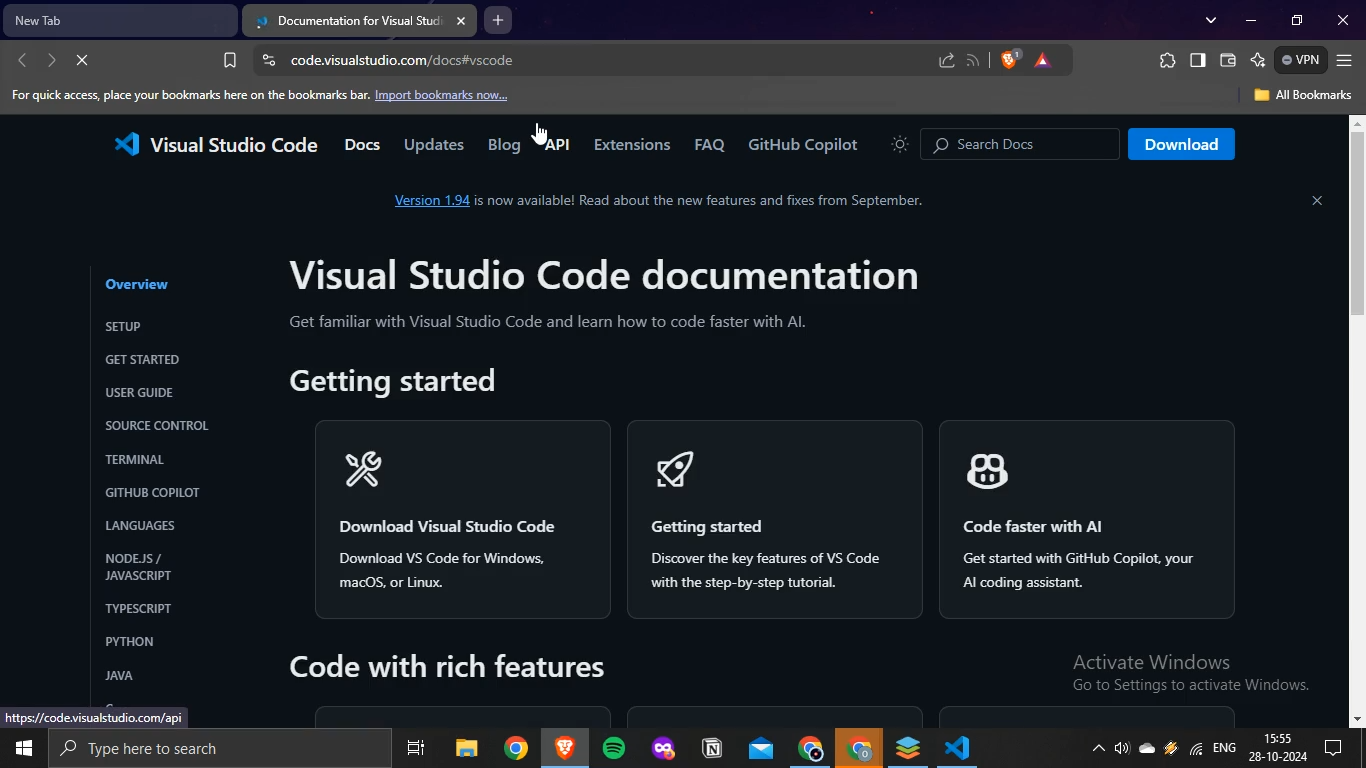 Image resolution: width=1366 pixels, height=768 pixels. What do you see at coordinates (1301, 60) in the screenshot?
I see `VPN` at bounding box center [1301, 60].